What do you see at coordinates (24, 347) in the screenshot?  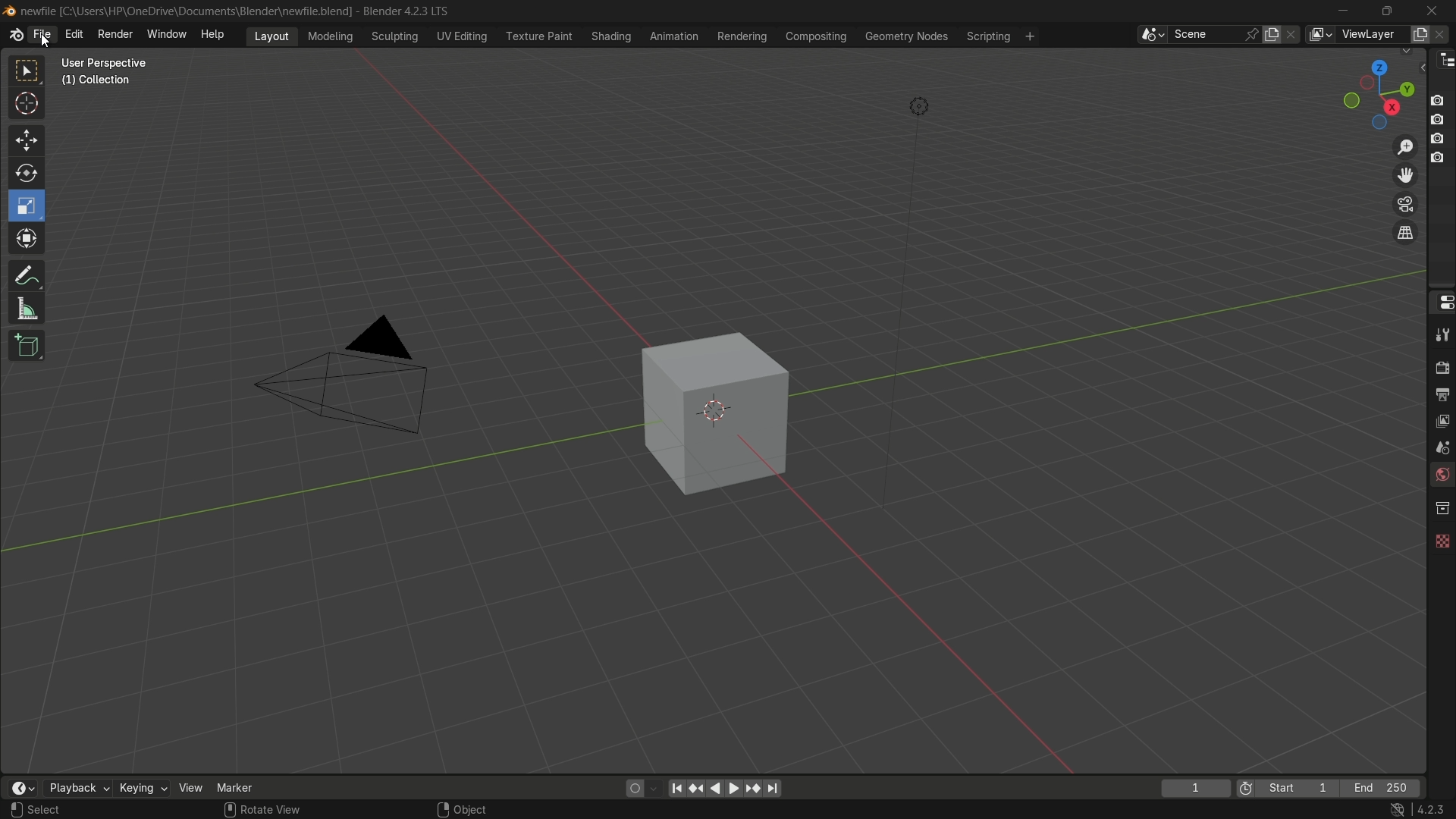 I see `add cube` at bounding box center [24, 347].